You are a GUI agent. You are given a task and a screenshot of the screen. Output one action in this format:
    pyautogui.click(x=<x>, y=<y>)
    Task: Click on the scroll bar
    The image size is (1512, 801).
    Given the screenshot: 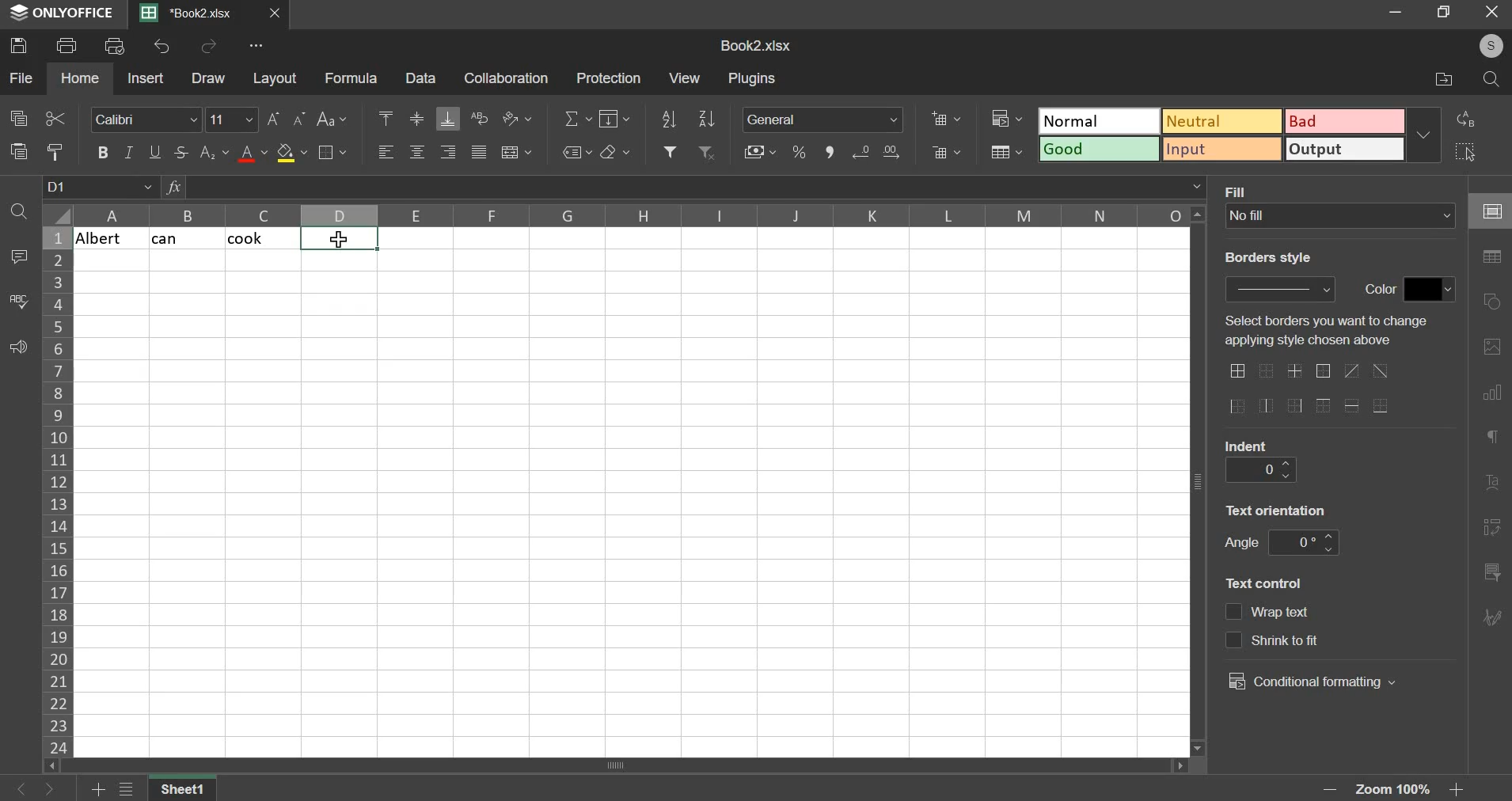 What is the action you would take?
    pyautogui.click(x=613, y=766)
    